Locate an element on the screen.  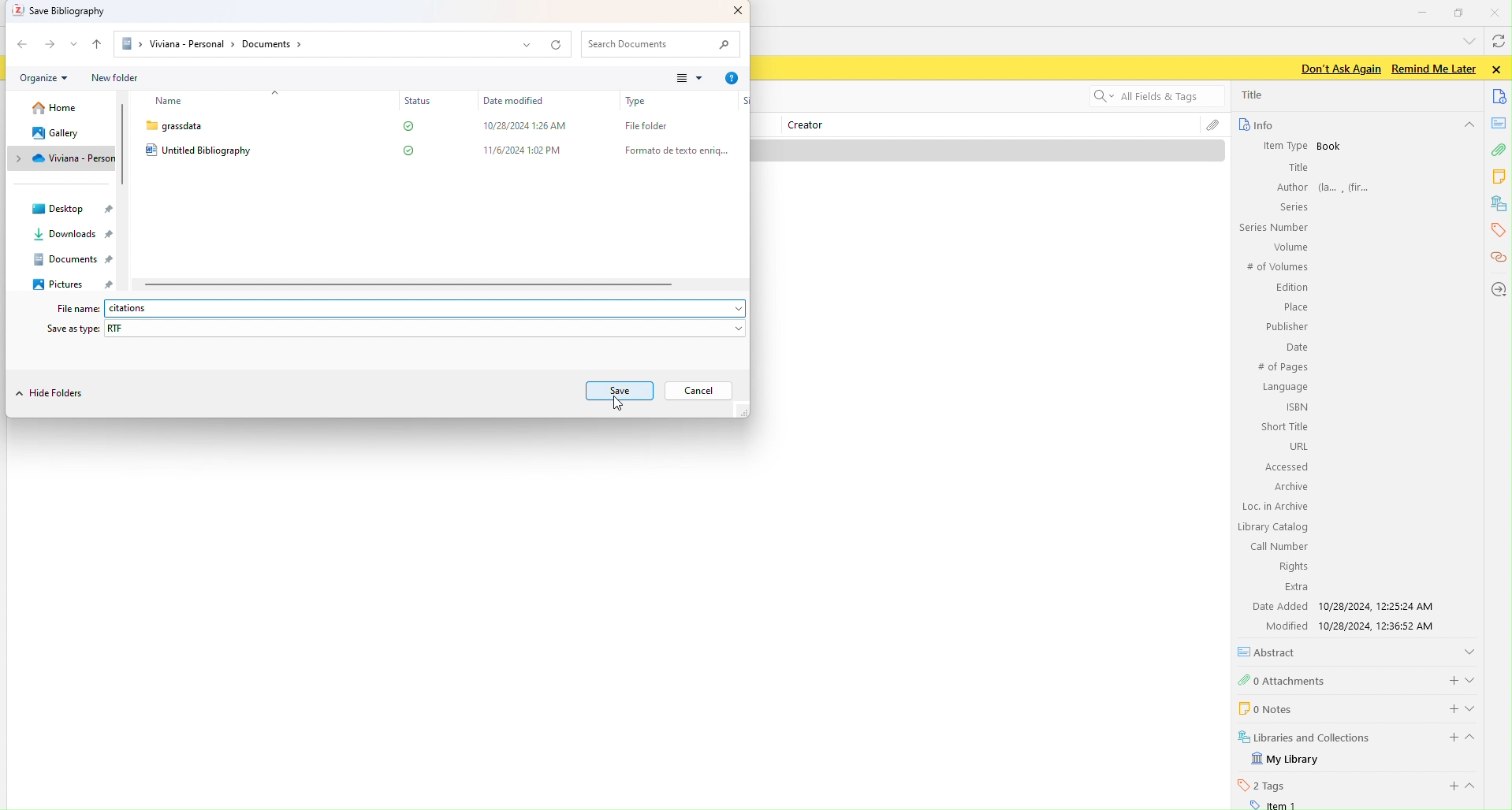
Up is located at coordinates (99, 43).